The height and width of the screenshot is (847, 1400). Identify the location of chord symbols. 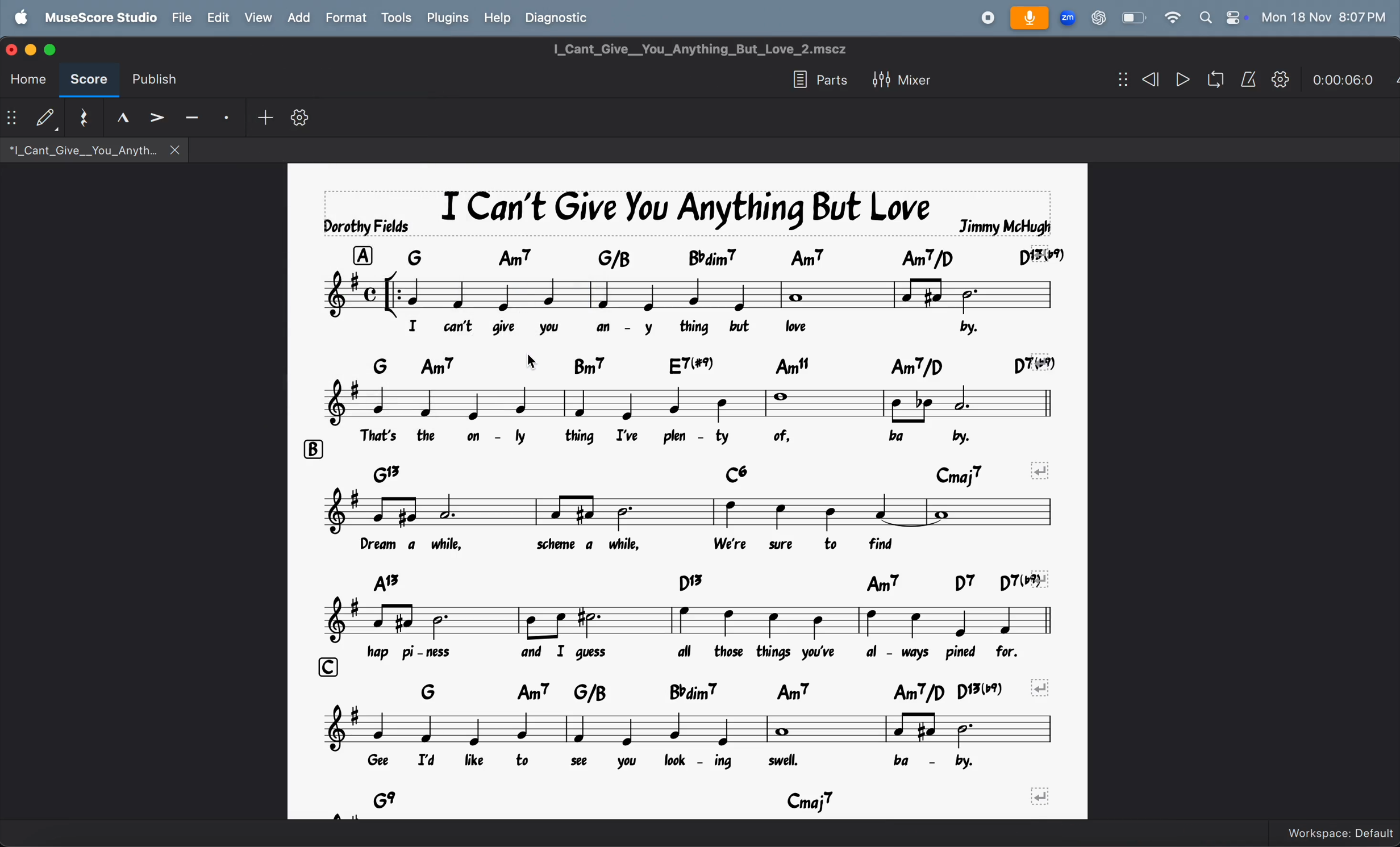
(707, 798).